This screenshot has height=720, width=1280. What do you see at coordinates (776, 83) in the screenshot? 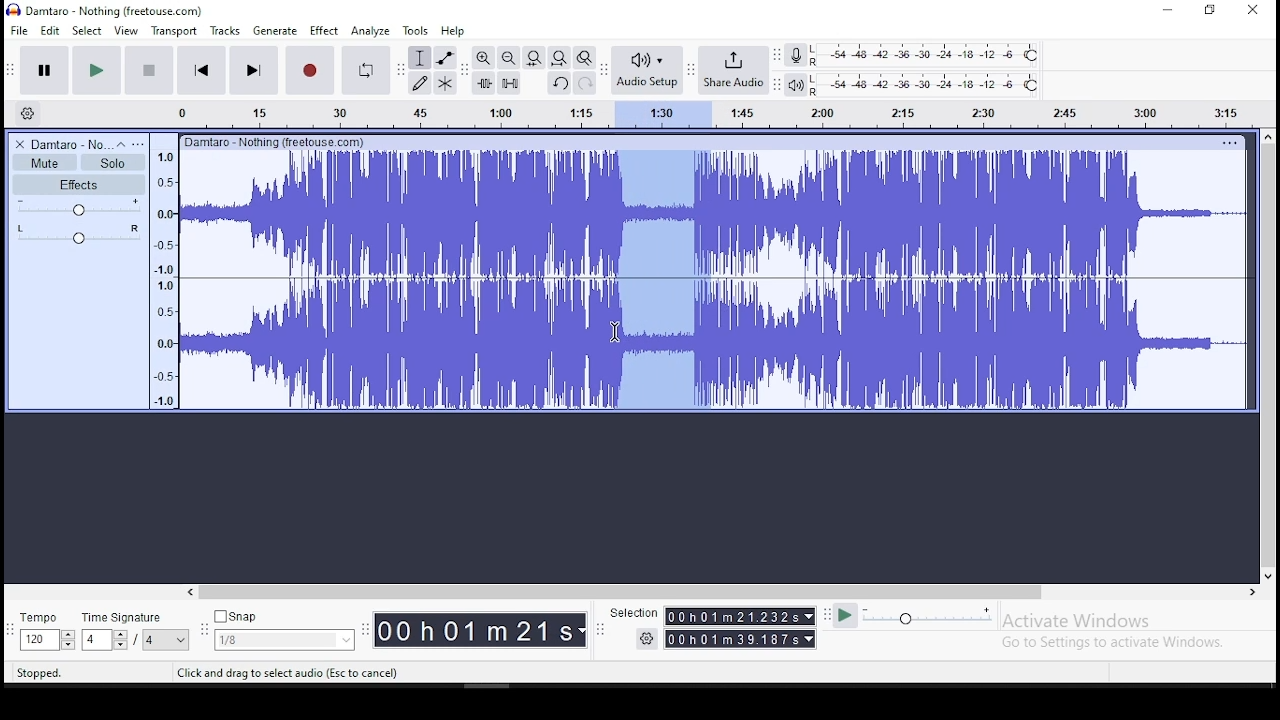
I see `` at bounding box center [776, 83].